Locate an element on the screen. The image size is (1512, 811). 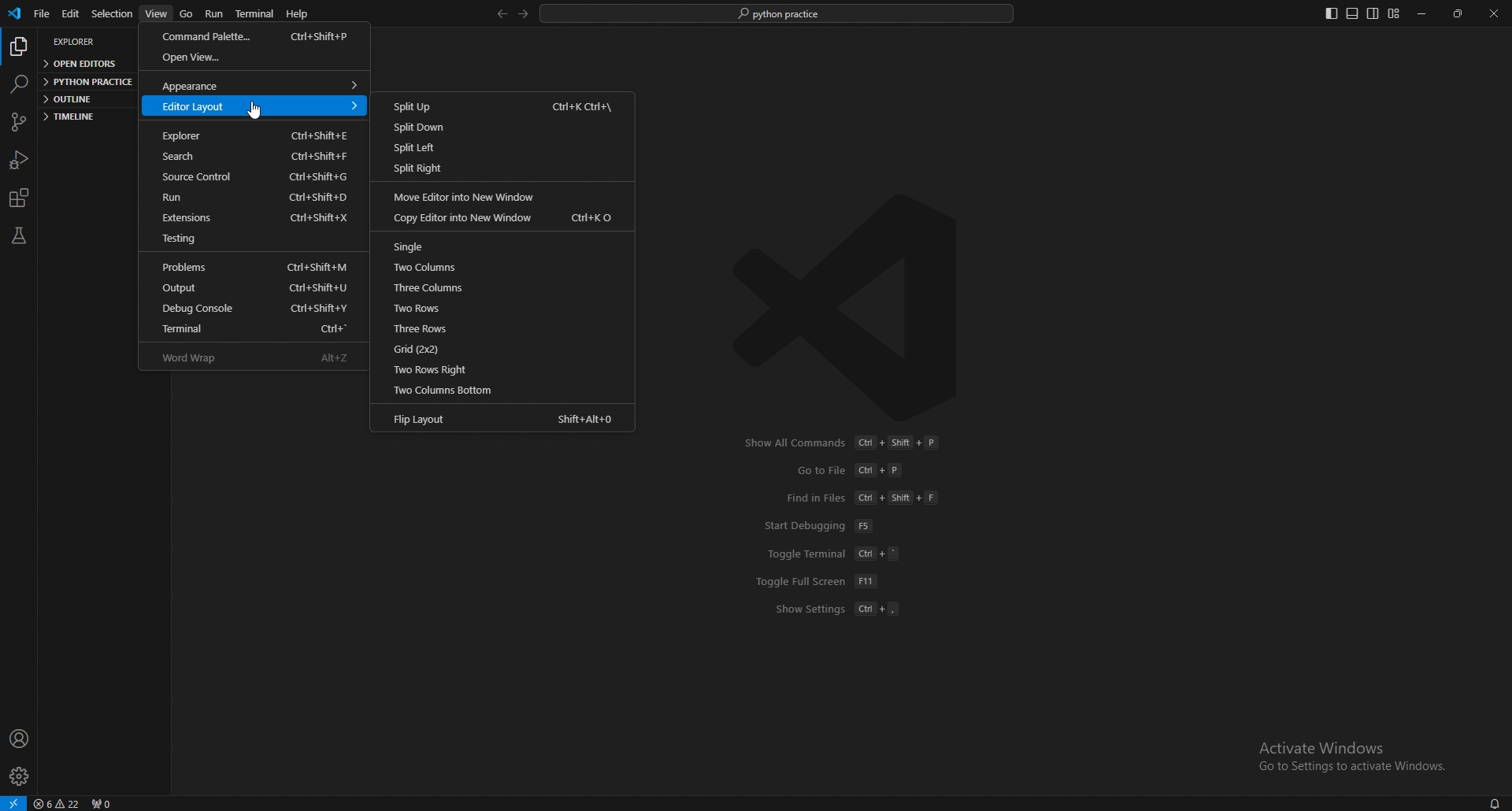
outline is located at coordinates (87, 98).